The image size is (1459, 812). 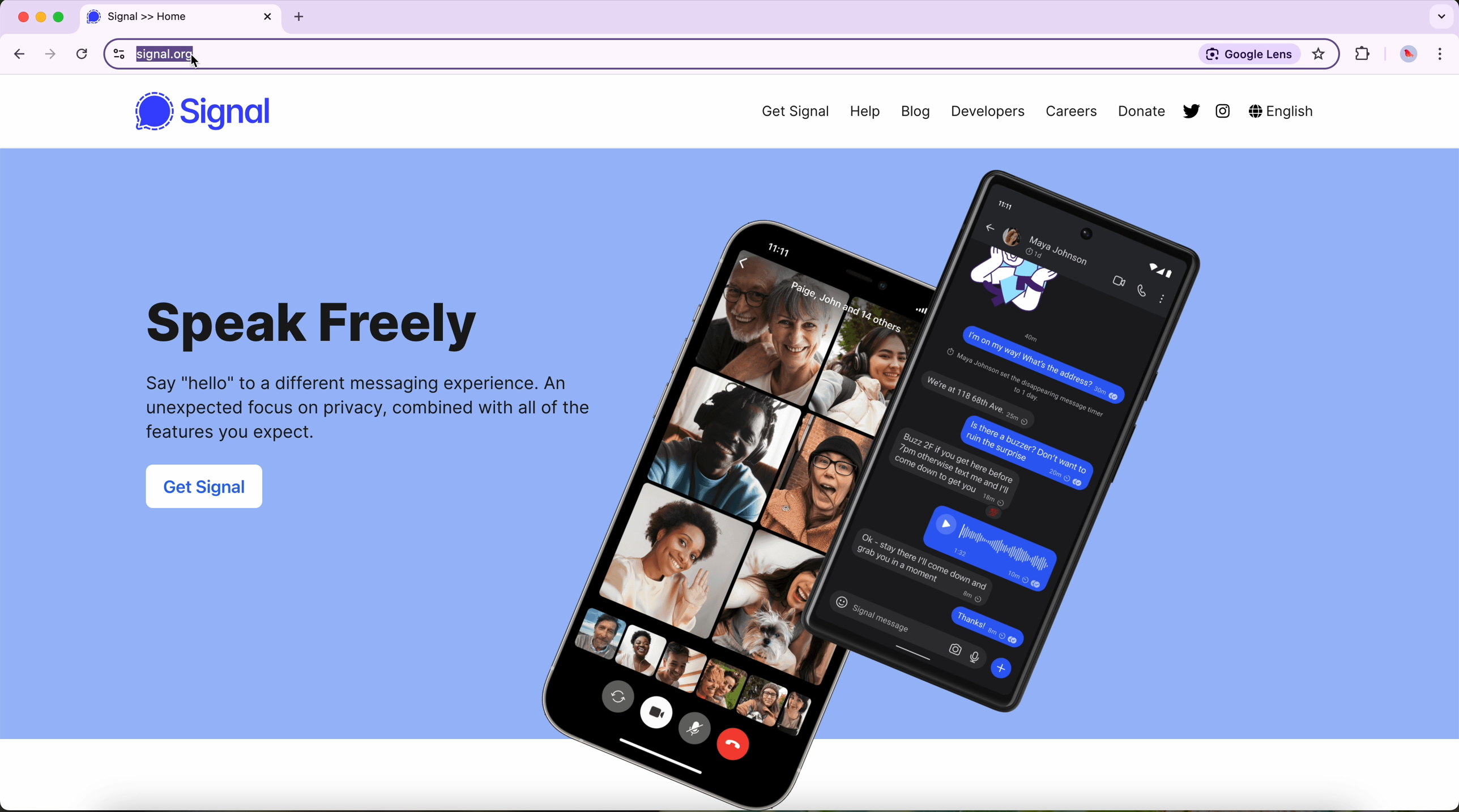 I want to click on refresh the page, so click(x=84, y=54).